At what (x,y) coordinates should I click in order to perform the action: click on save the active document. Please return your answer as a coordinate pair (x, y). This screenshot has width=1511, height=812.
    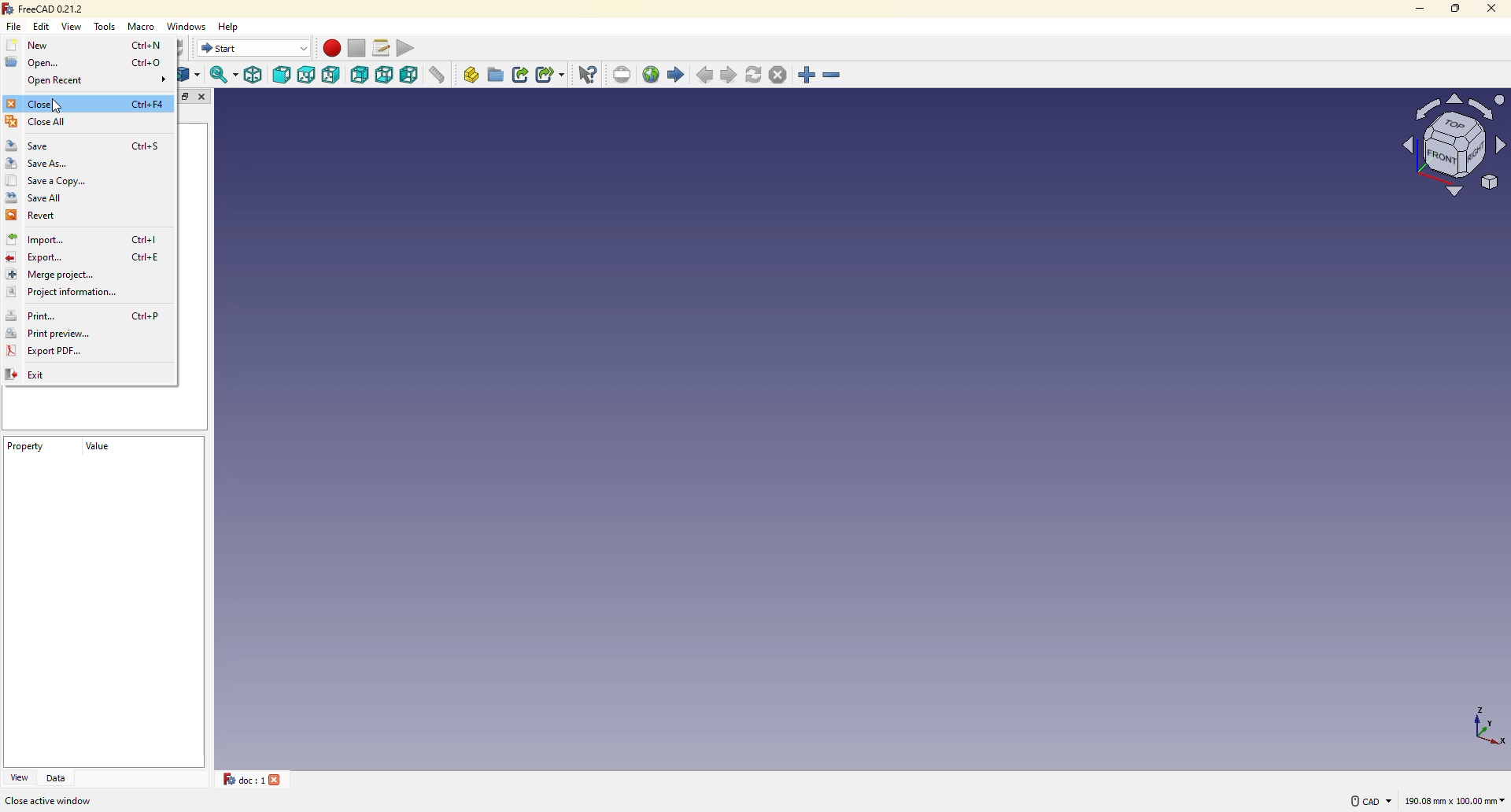
    Looking at the image, I should click on (64, 800).